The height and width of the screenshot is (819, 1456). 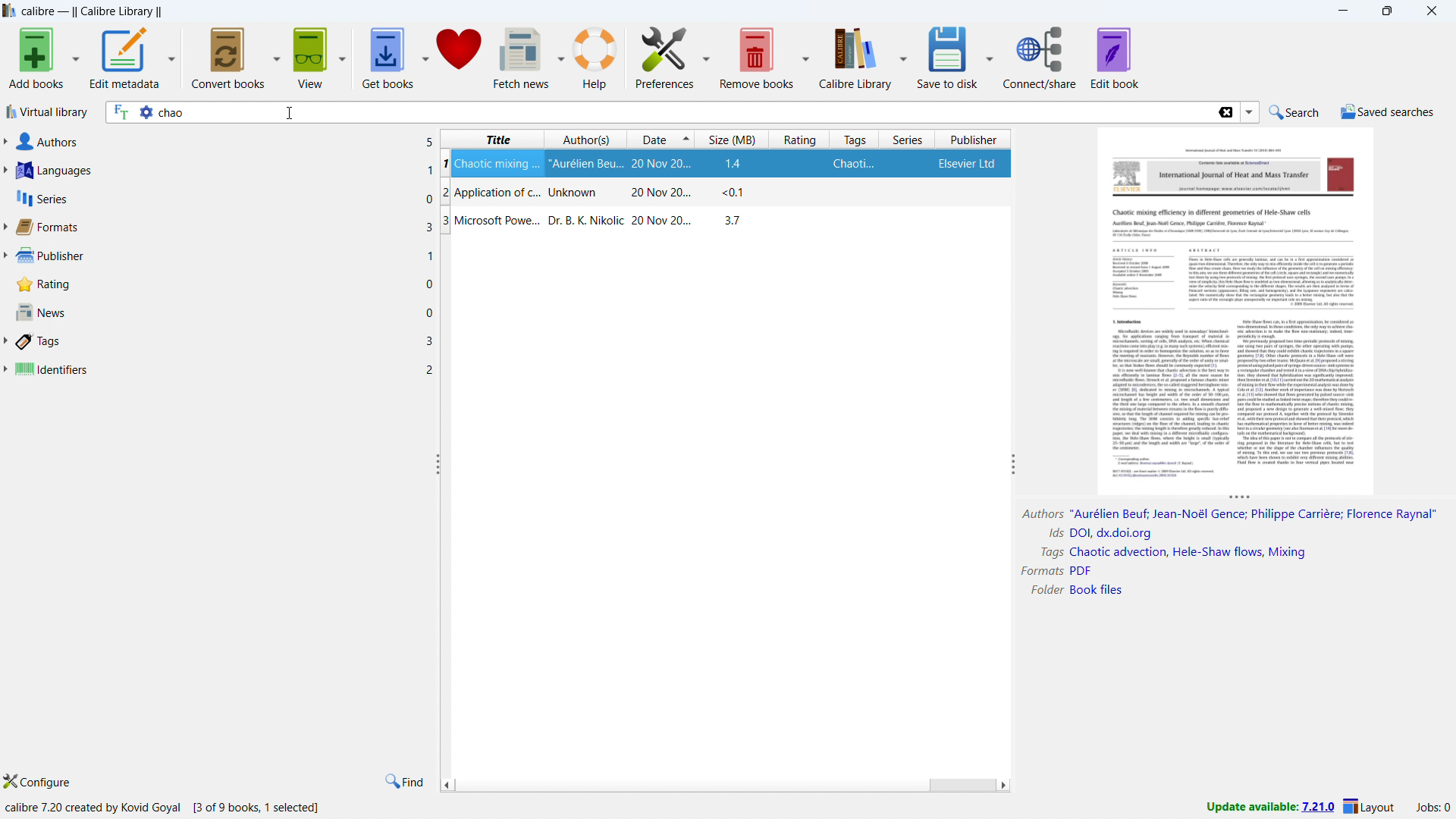 I want to click on view options, so click(x=342, y=56).